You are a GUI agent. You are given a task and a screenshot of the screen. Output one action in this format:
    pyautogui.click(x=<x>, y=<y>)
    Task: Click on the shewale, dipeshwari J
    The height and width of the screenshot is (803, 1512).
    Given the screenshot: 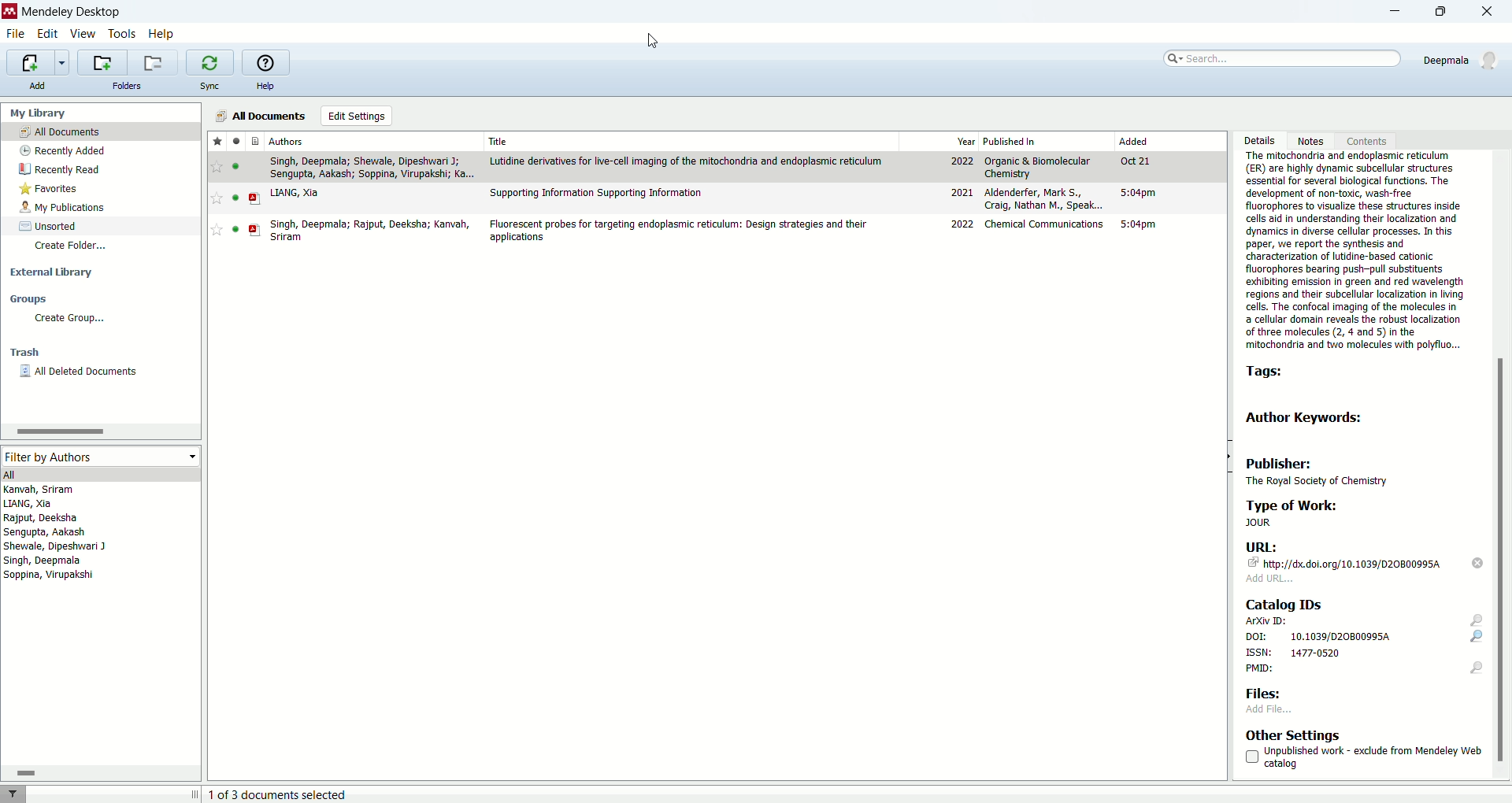 What is the action you would take?
    pyautogui.click(x=55, y=546)
    